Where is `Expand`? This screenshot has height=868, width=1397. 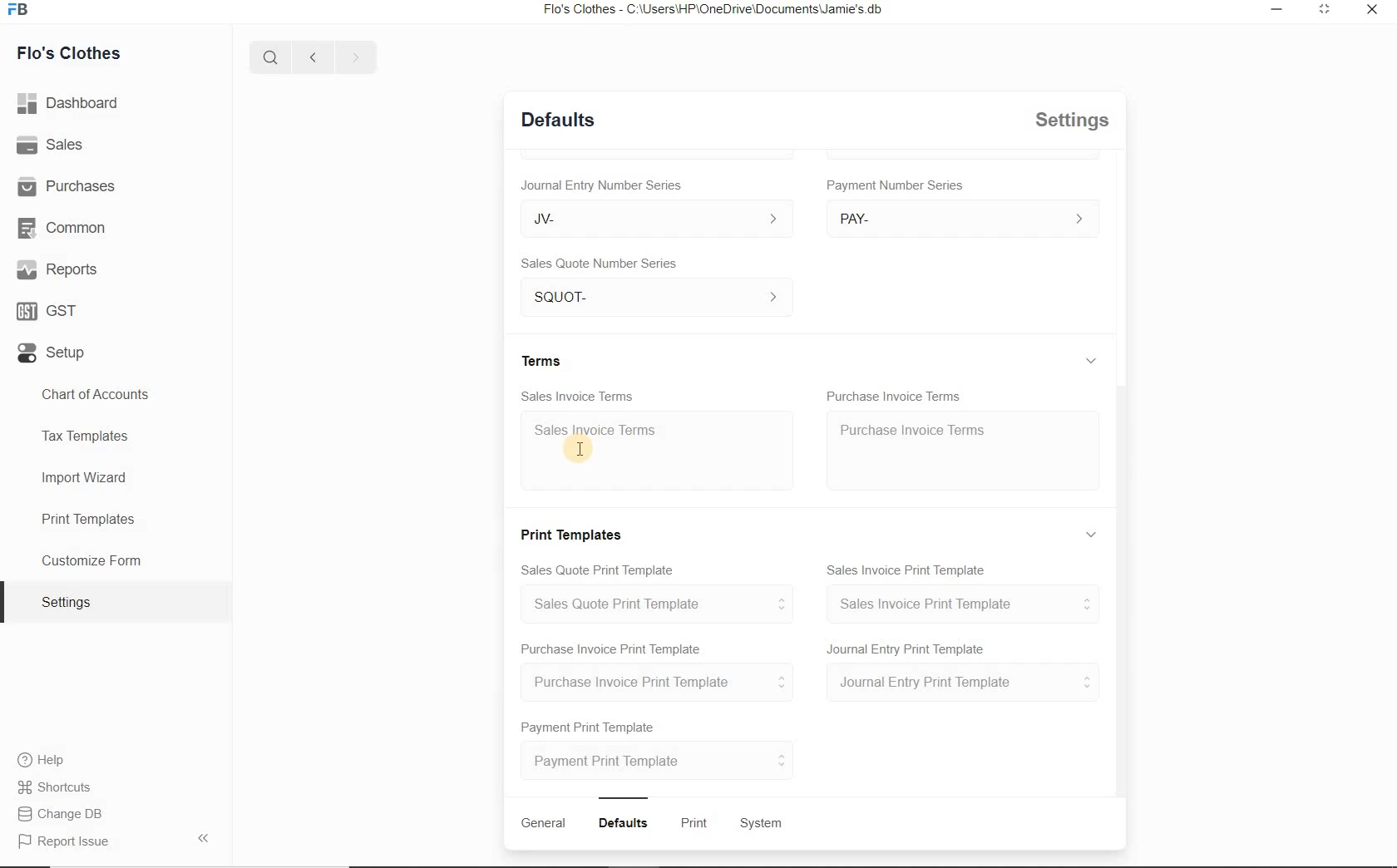 Expand is located at coordinates (1095, 170).